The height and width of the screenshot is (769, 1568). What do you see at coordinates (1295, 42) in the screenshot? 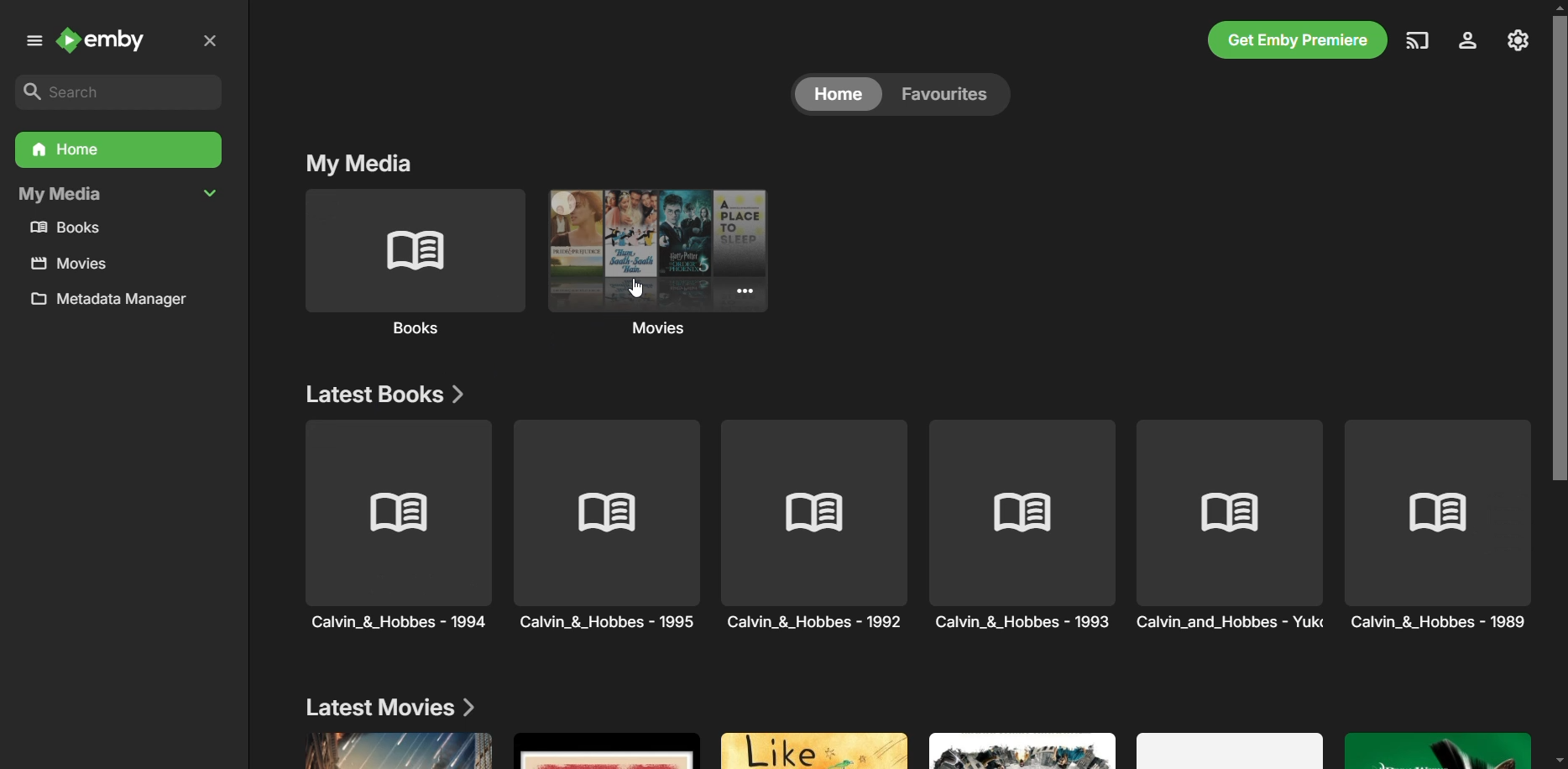
I see `Get Emby Premier` at bounding box center [1295, 42].